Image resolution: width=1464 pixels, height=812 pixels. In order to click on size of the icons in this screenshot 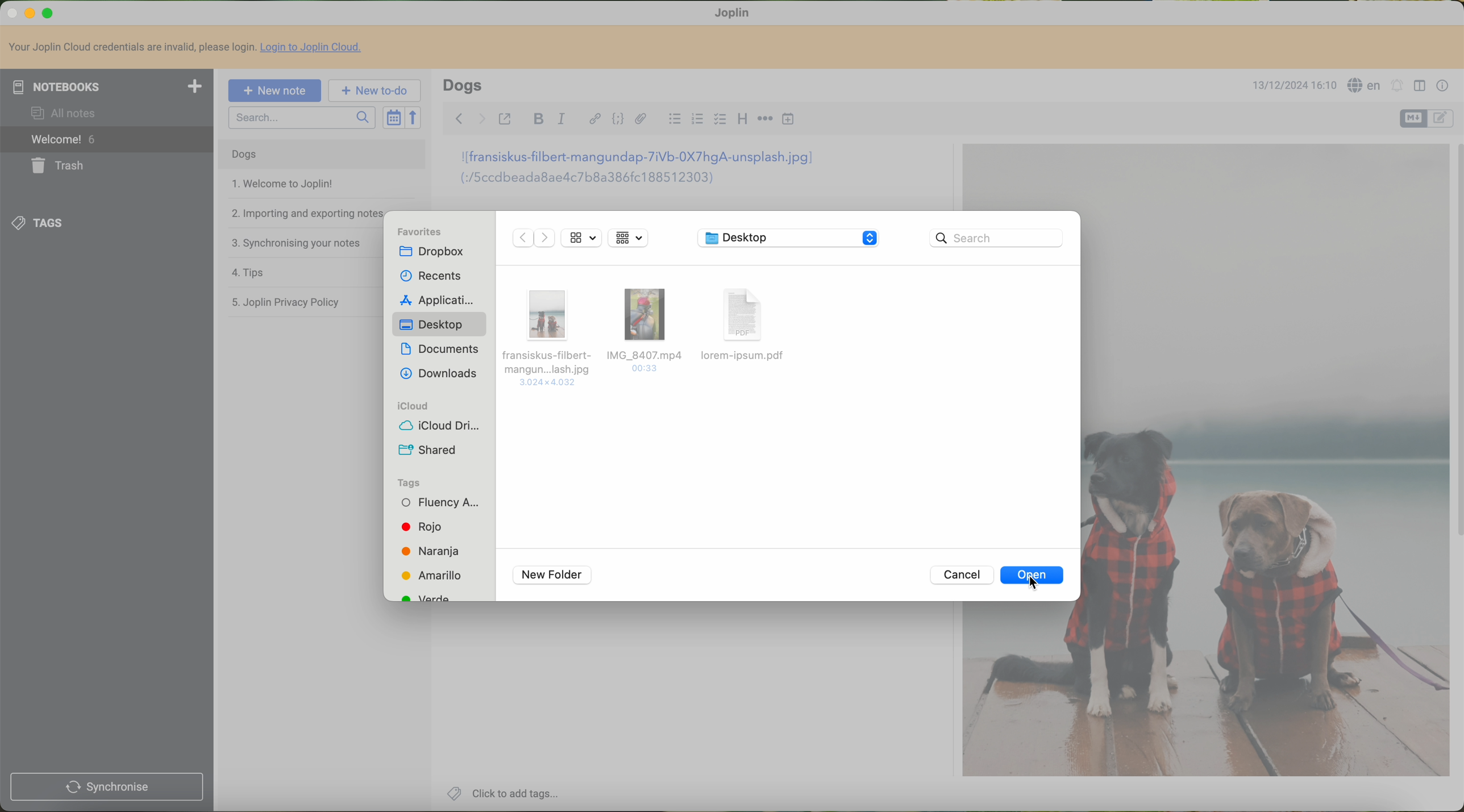, I will do `click(582, 236)`.